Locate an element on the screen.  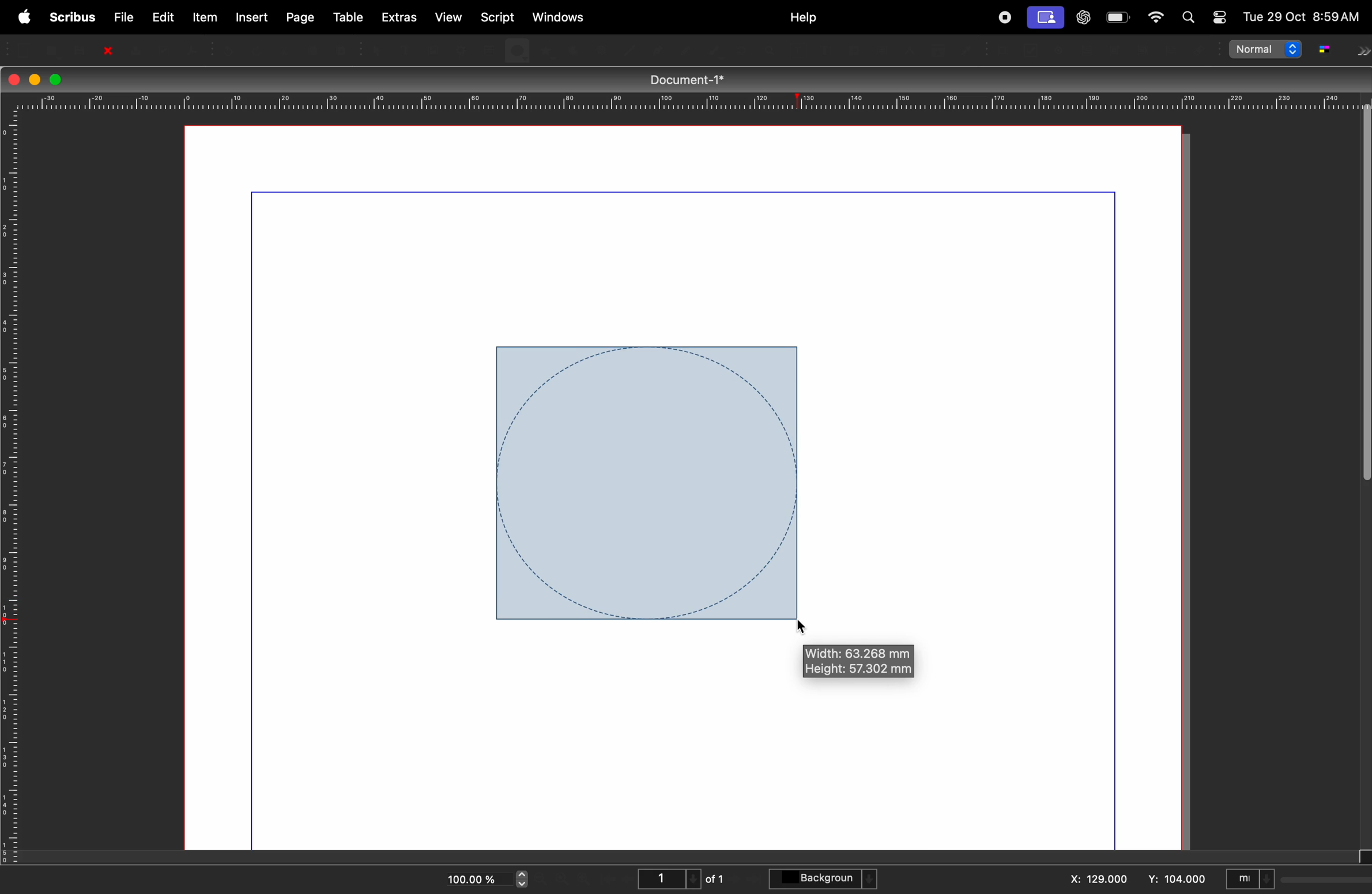
close is located at coordinates (107, 49).